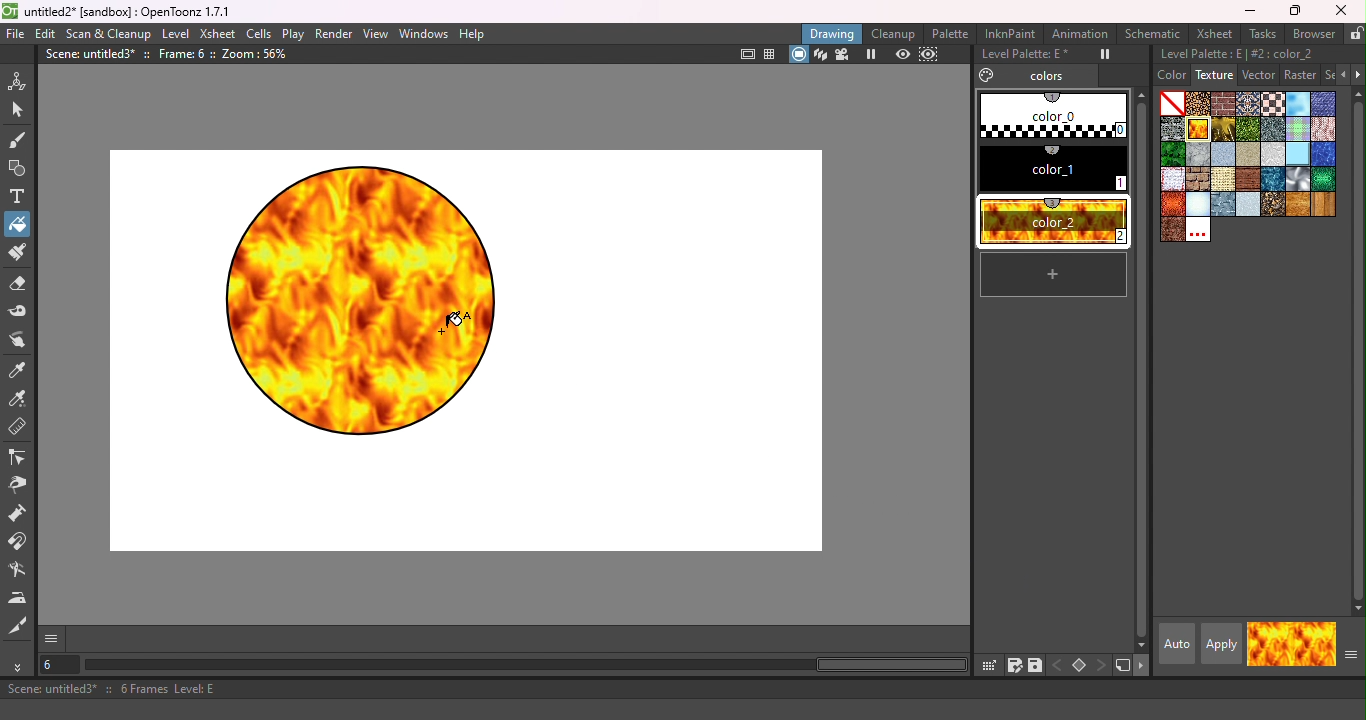 The height and width of the screenshot is (720, 1366). I want to click on 3D view, so click(820, 54).